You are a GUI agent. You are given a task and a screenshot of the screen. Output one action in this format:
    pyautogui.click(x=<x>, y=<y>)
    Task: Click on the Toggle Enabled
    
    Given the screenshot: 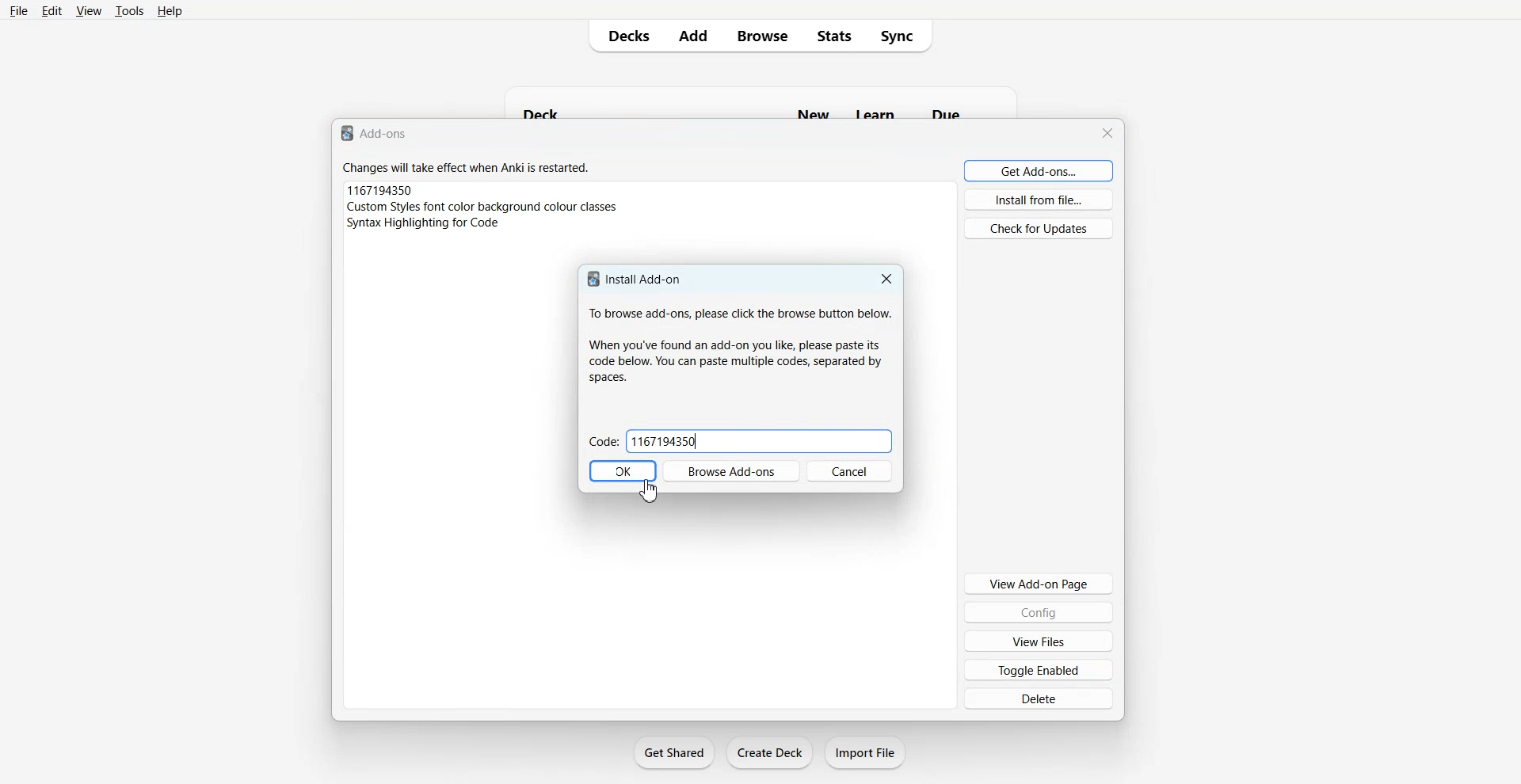 What is the action you would take?
    pyautogui.click(x=1040, y=669)
    